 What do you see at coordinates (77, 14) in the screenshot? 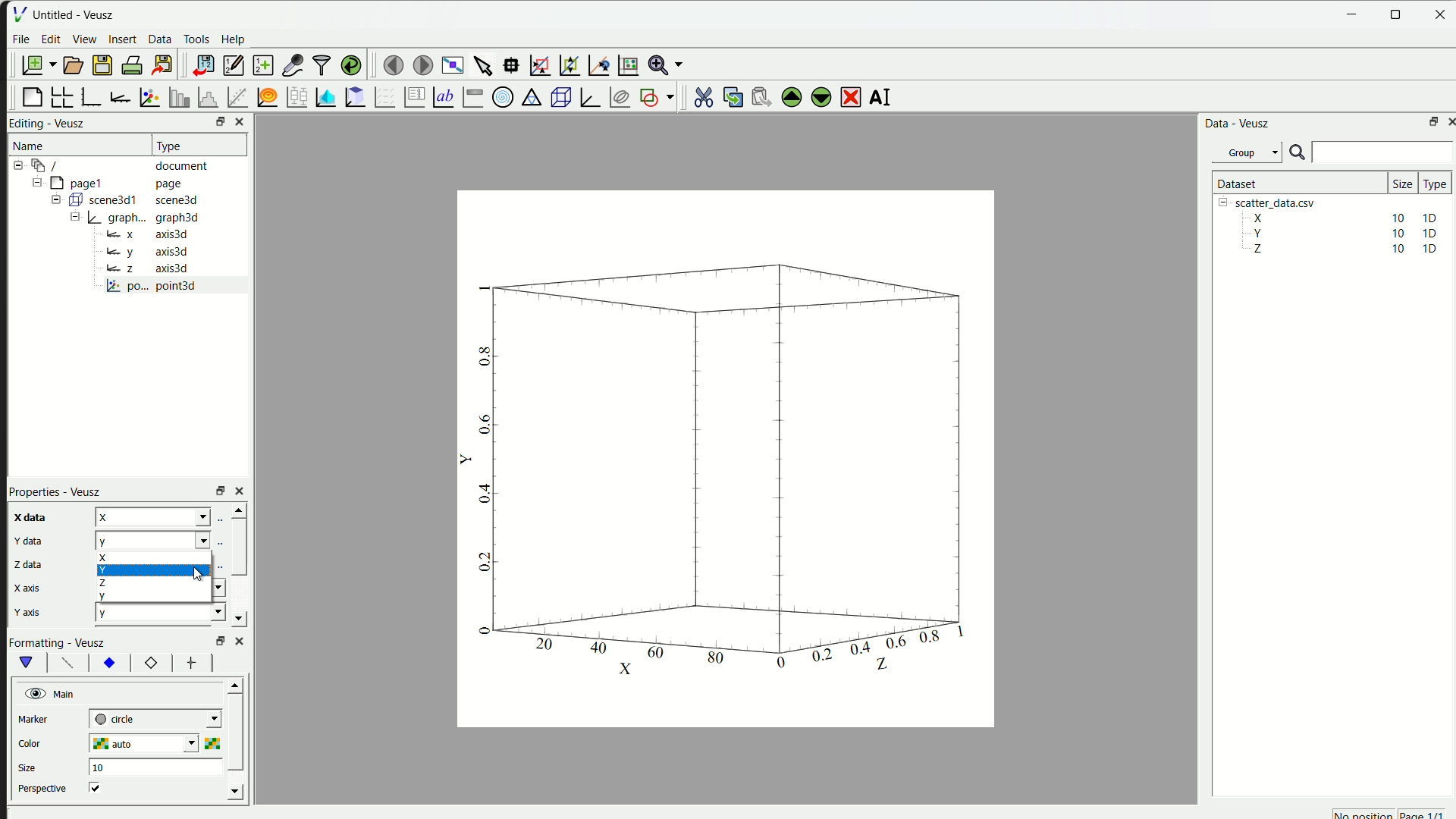
I see `Untitled - Veusz` at bounding box center [77, 14].